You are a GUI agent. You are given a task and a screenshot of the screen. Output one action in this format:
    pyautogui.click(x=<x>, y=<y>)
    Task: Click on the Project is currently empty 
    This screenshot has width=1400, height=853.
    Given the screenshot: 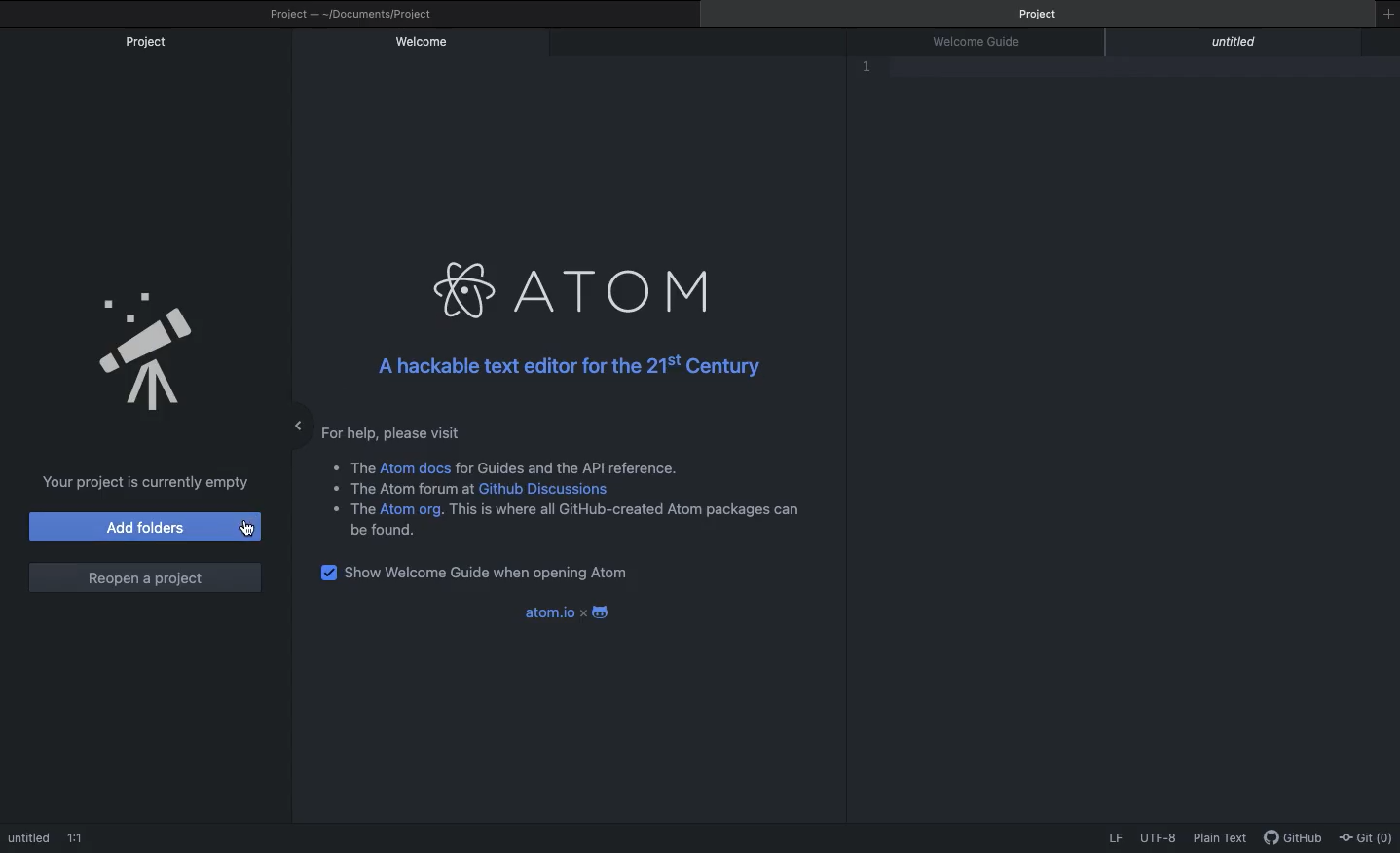 What is the action you would take?
    pyautogui.click(x=144, y=484)
    